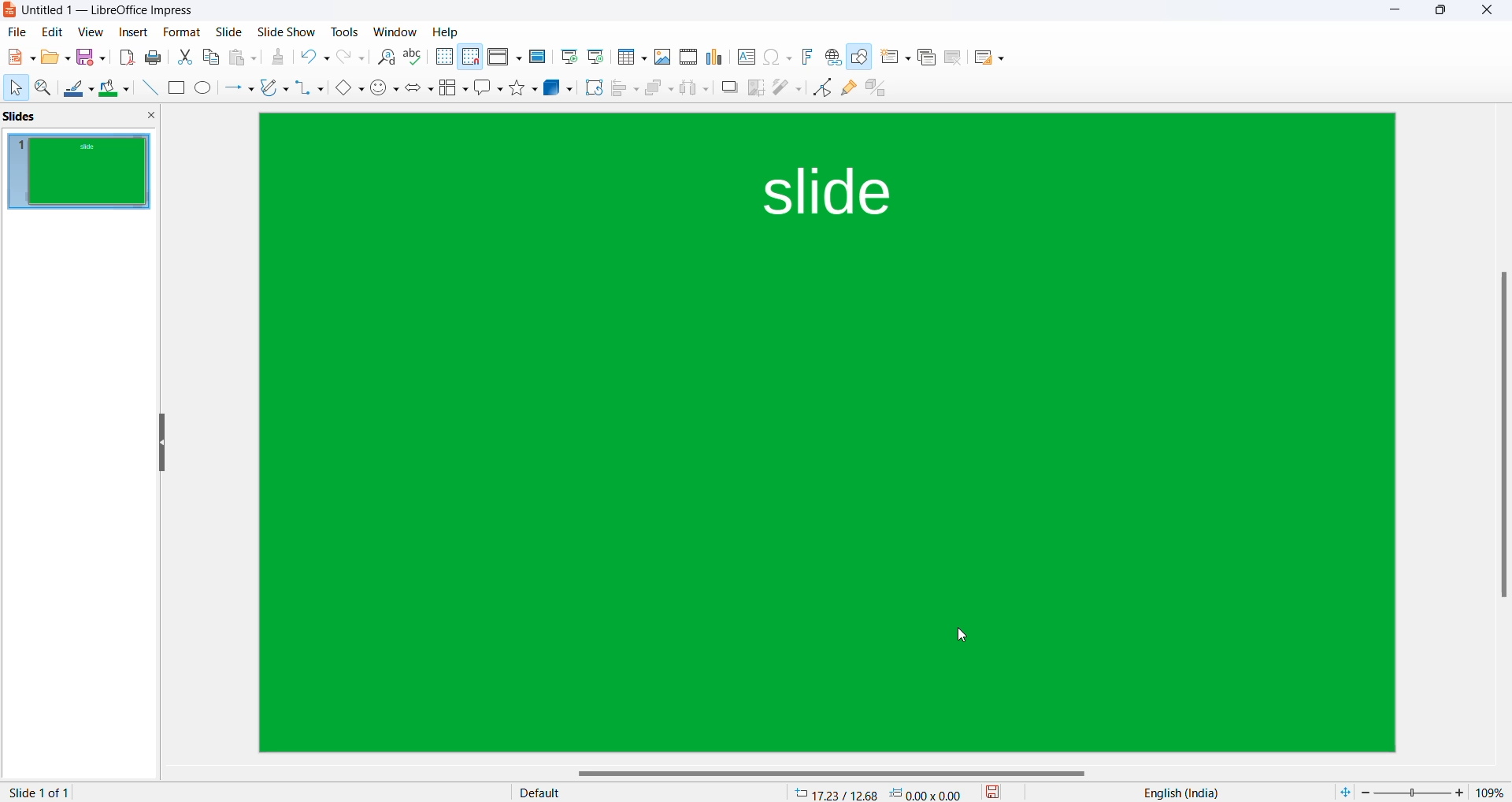 This screenshot has width=1512, height=802. What do you see at coordinates (351, 60) in the screenshot?
I see `redo ` at bounding box center [351, 60].